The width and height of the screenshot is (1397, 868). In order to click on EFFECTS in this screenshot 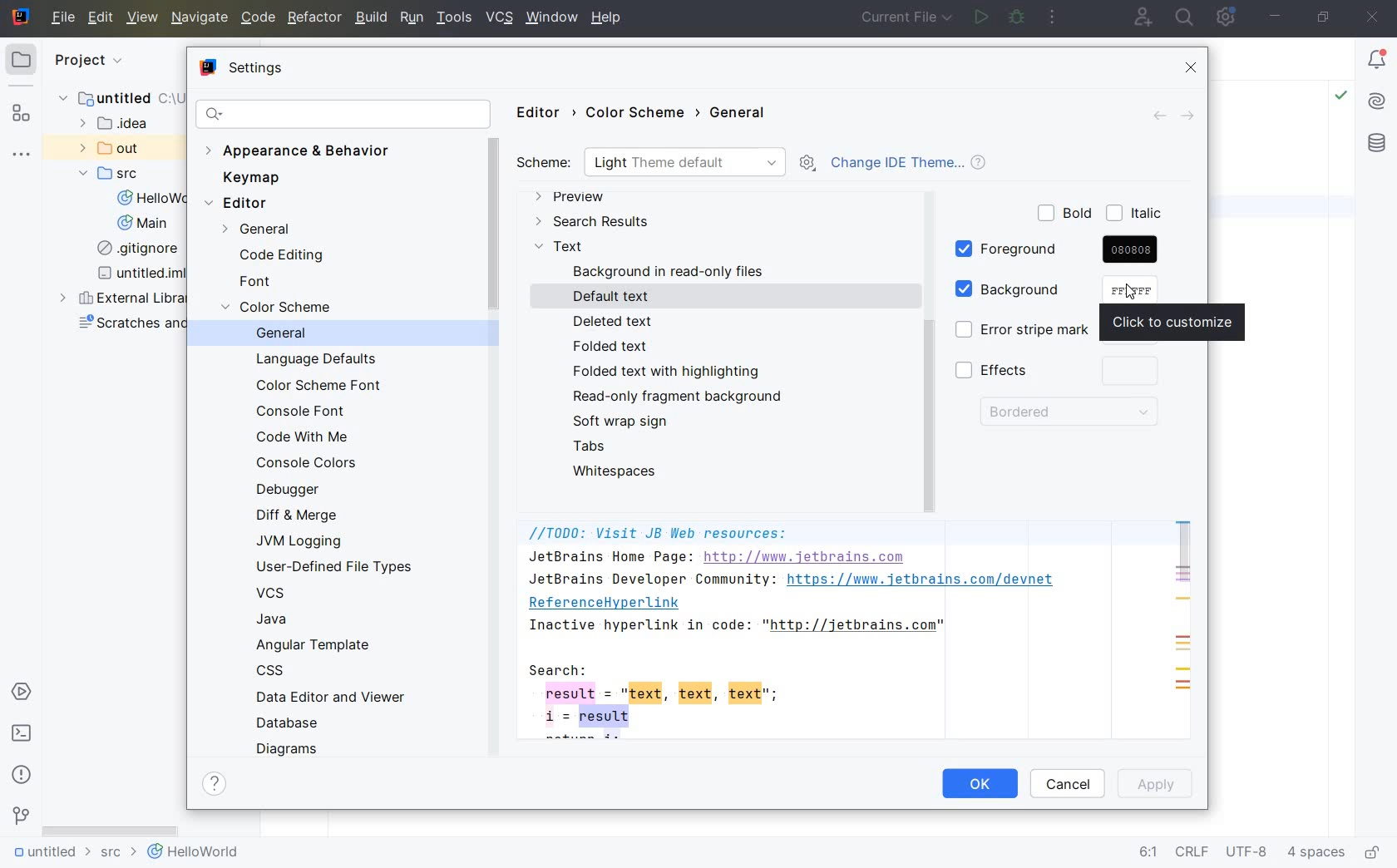, I will do `click(1060, 372)`.